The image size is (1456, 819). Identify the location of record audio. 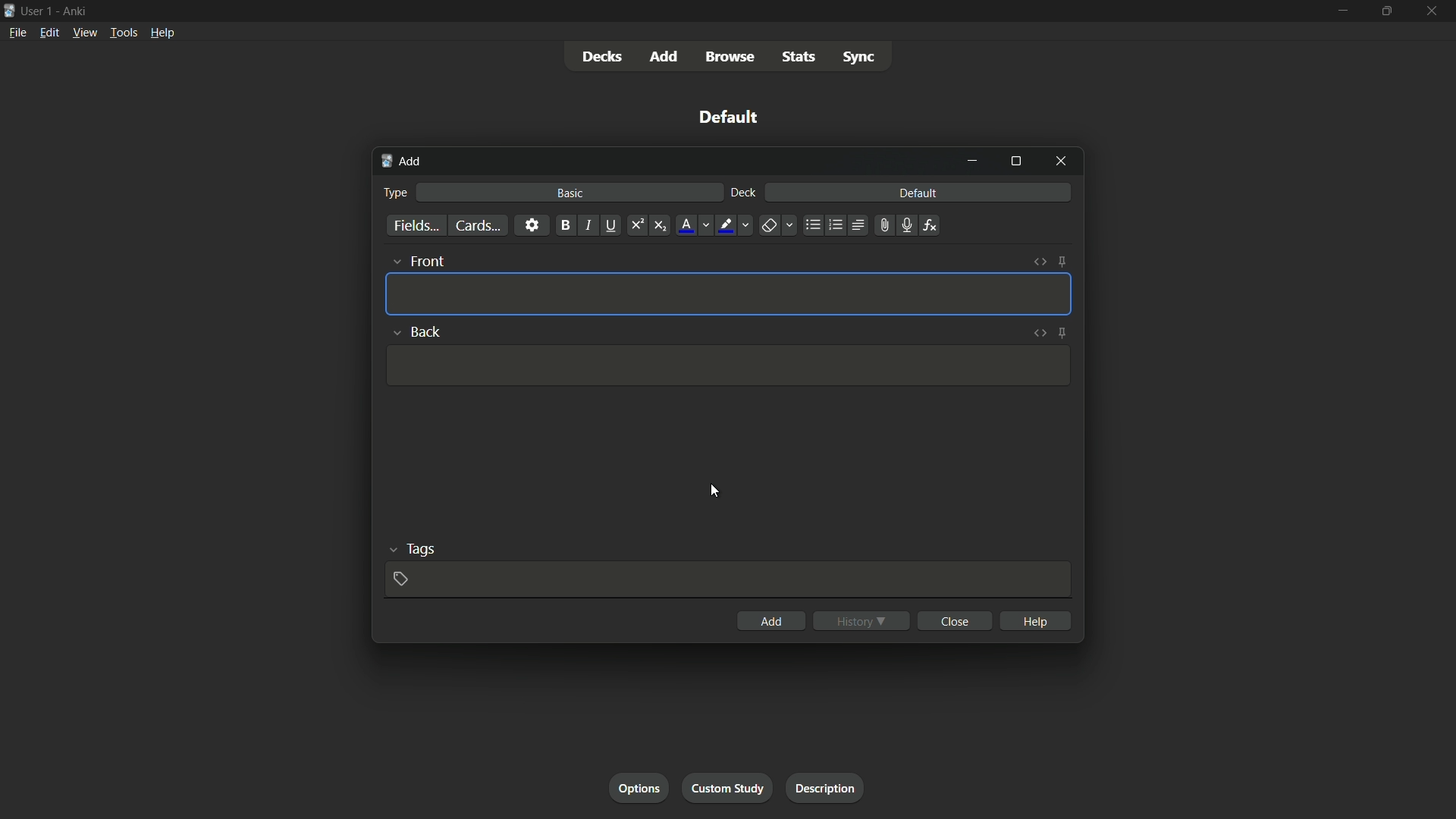
(908, 224).